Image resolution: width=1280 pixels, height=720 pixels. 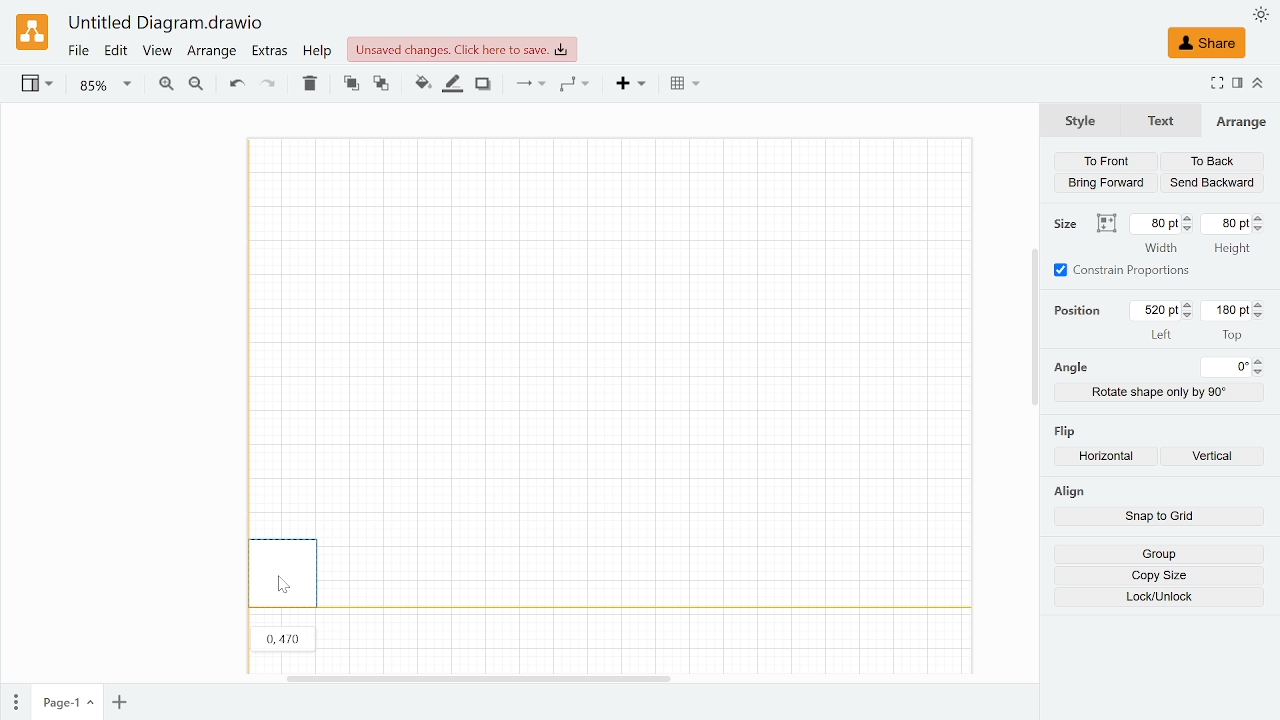 I want to click on Format, so click(x=1238, y=84).